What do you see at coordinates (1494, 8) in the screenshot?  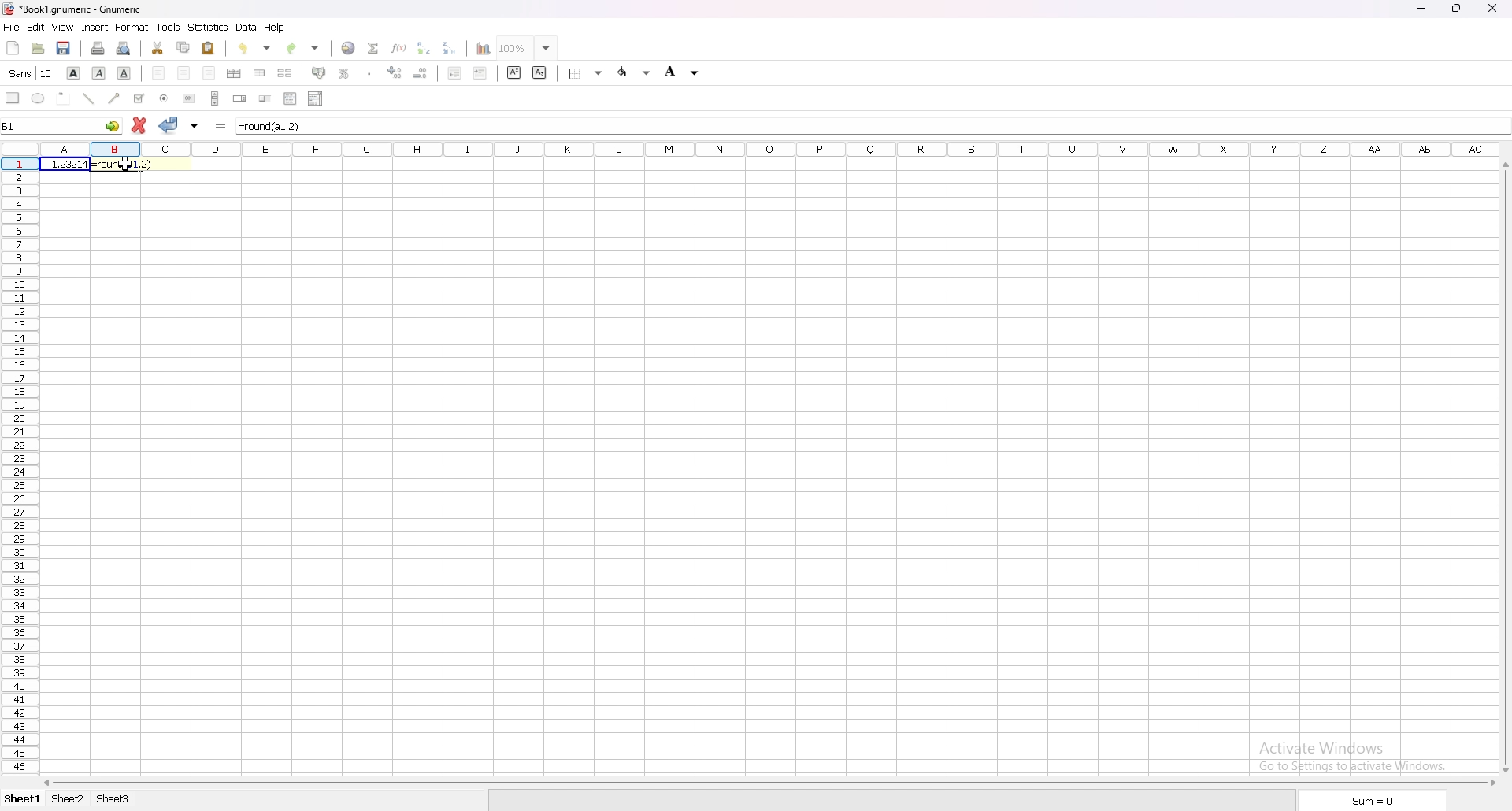 I see `close` at bounding box center [1494, 8].